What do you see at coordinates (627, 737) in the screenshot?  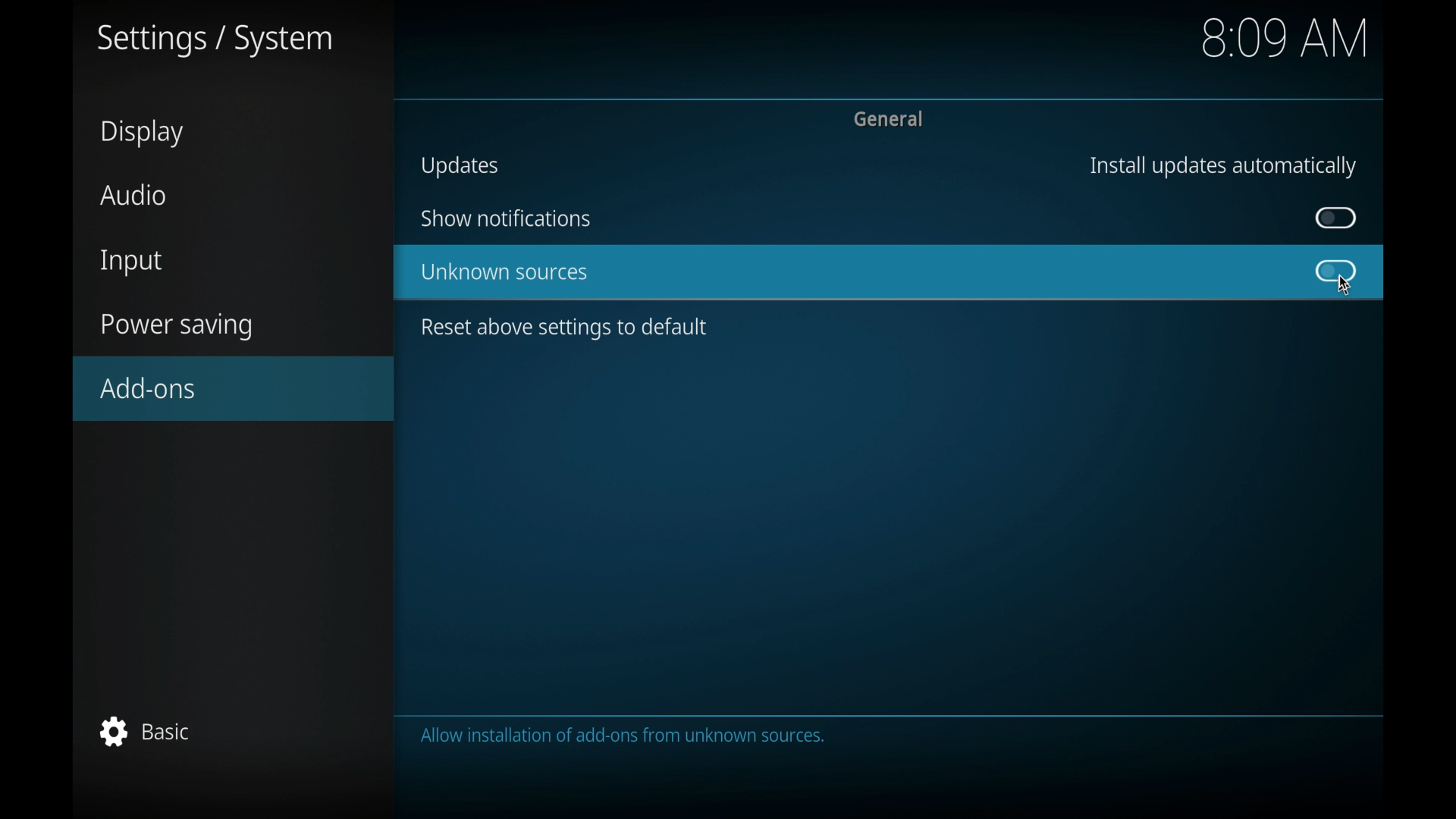 I see `this category contains settings for the add-on system` at bounding box center [627, 737].